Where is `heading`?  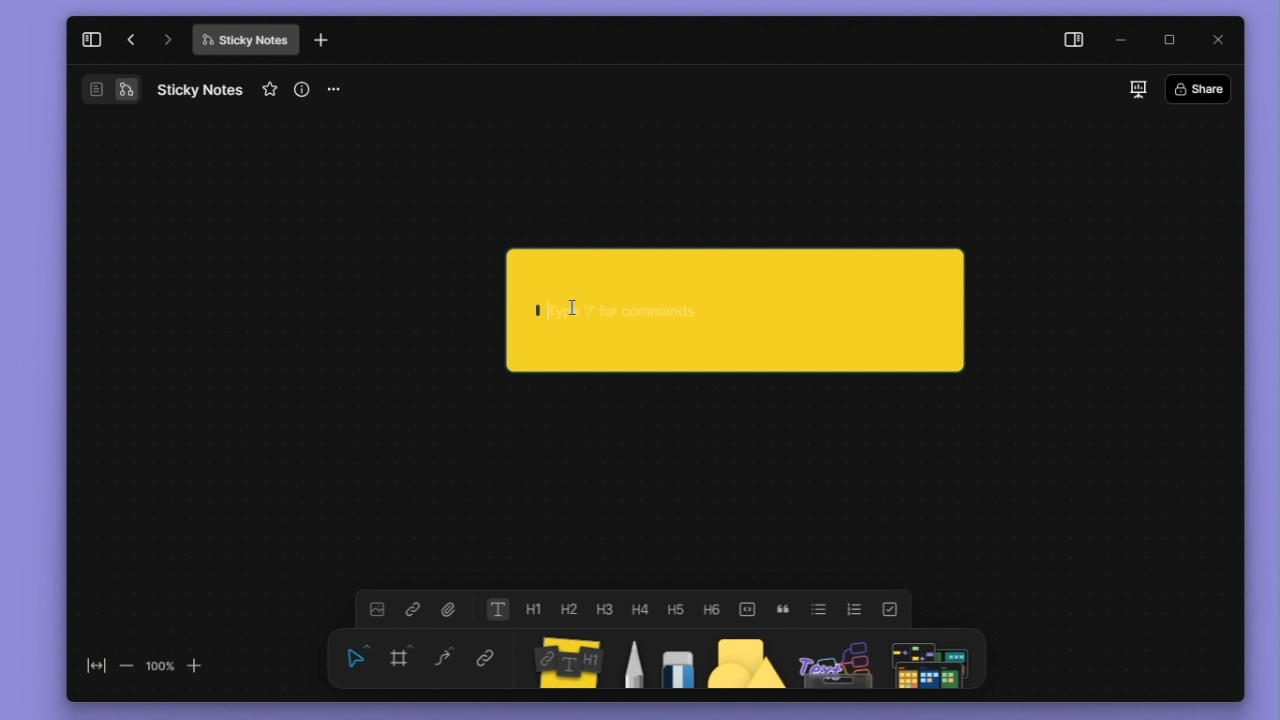
heading is located at coordinates (573, 609).